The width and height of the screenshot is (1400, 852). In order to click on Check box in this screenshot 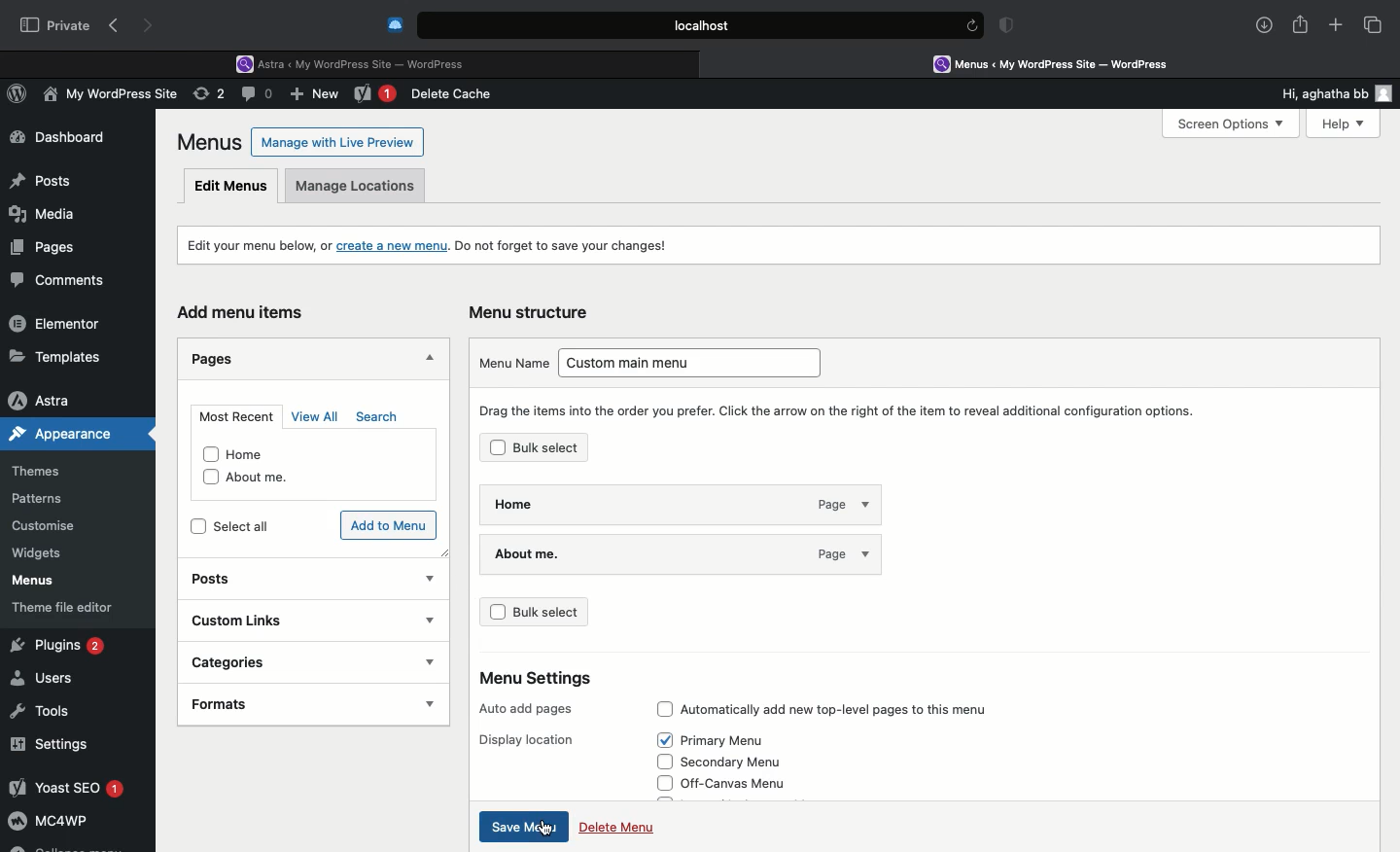, I will do `click(500, 612)`.